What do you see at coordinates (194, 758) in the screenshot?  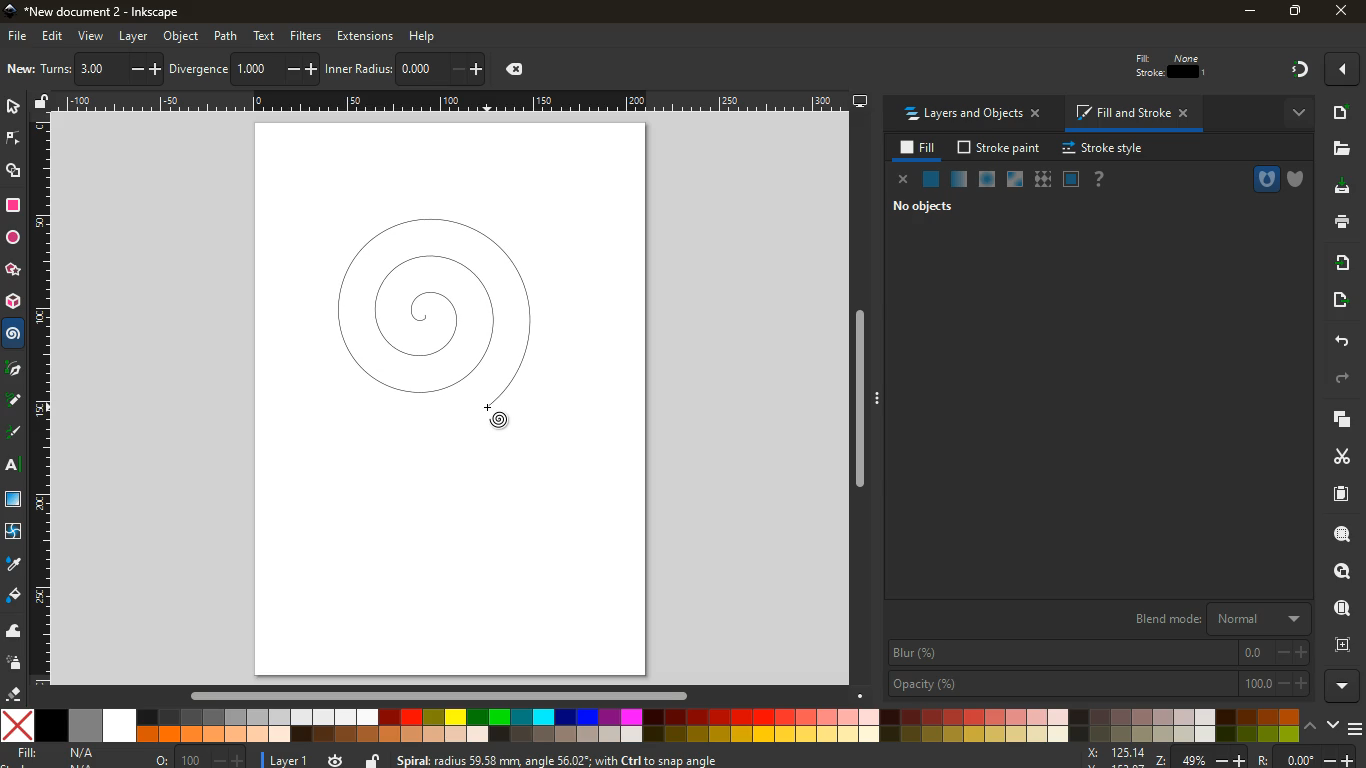 I see `o` at bounding box center [194, 758].